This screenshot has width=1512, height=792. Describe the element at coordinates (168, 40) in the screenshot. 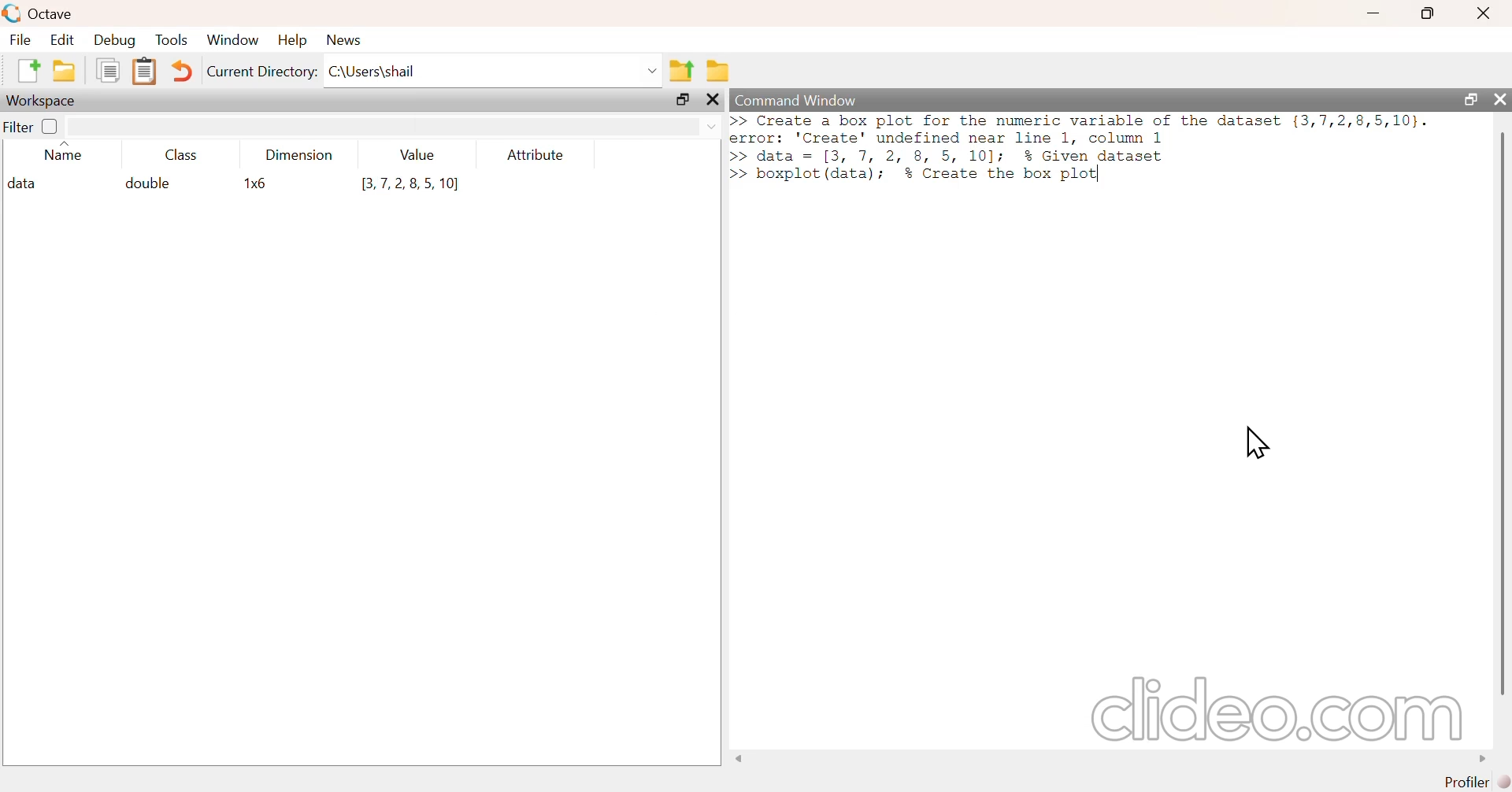

I see `tools` at that location.